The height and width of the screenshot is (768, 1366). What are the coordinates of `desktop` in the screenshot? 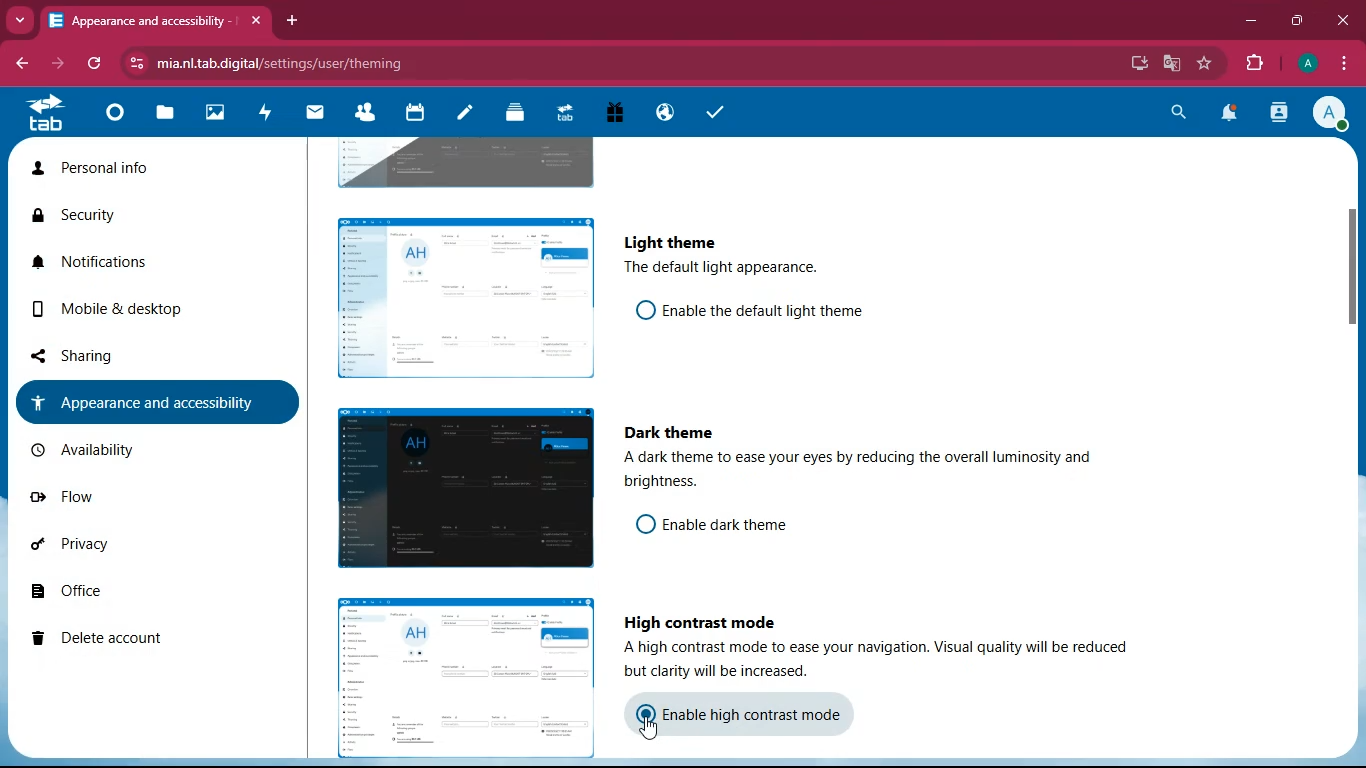 It's located at (1140, 62).